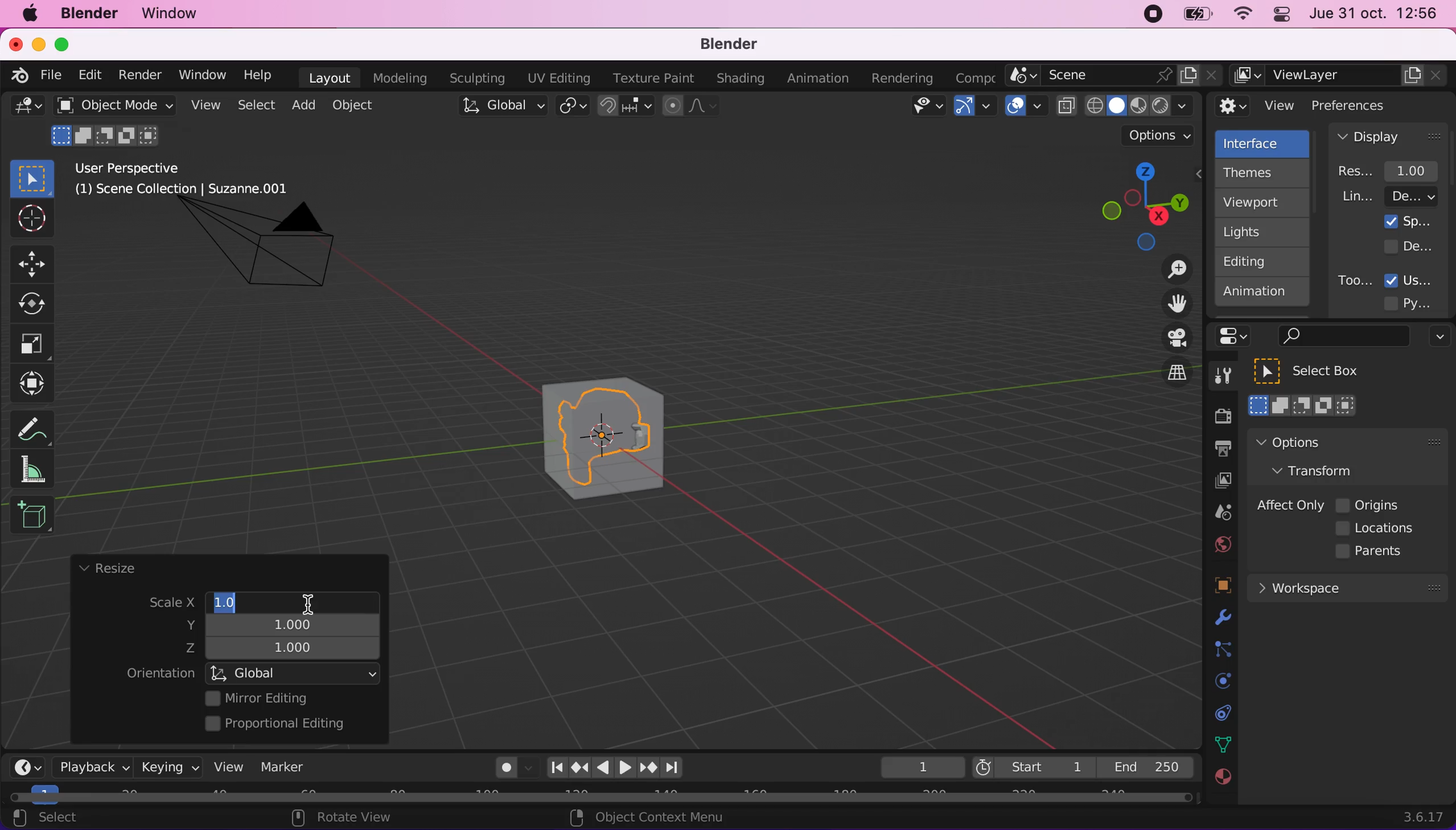 This screenshot has height=830, width=1456. I want to click on window, so click(201, 75).